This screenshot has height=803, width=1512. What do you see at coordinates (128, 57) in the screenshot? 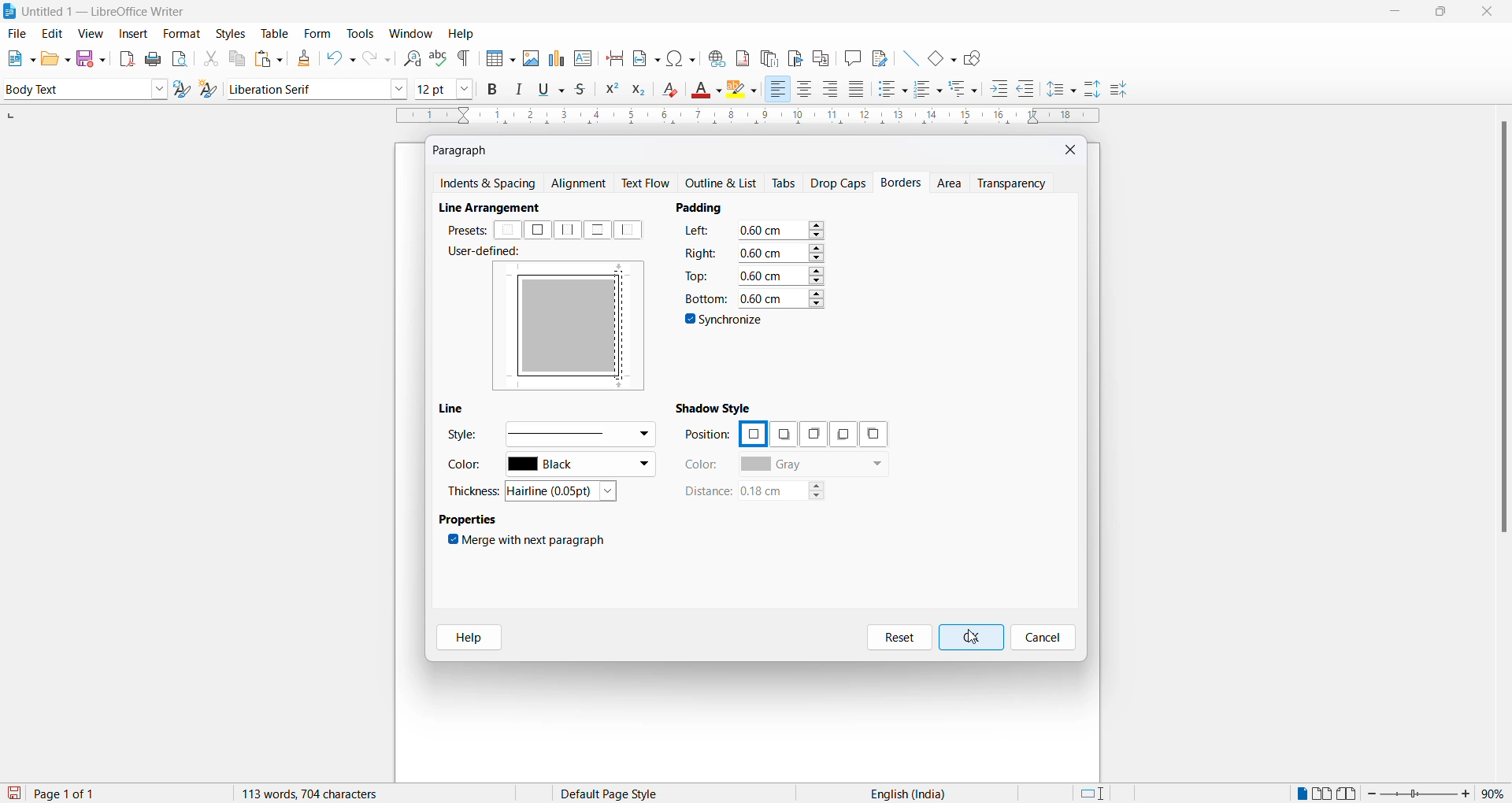
I see `export as pdf` at bounding box center [128, 57].